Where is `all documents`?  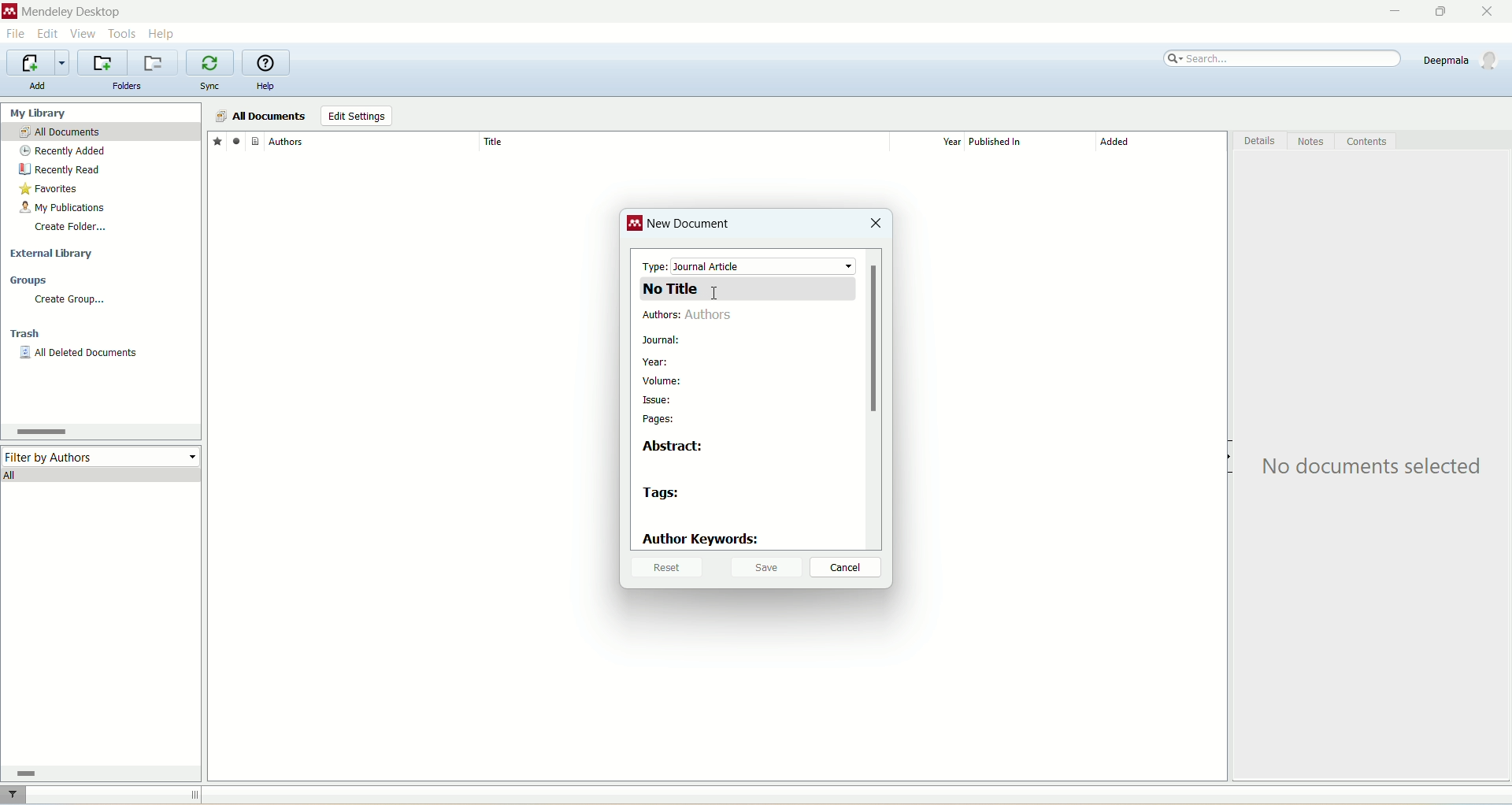 all documents is located at coordinates (260, 117).